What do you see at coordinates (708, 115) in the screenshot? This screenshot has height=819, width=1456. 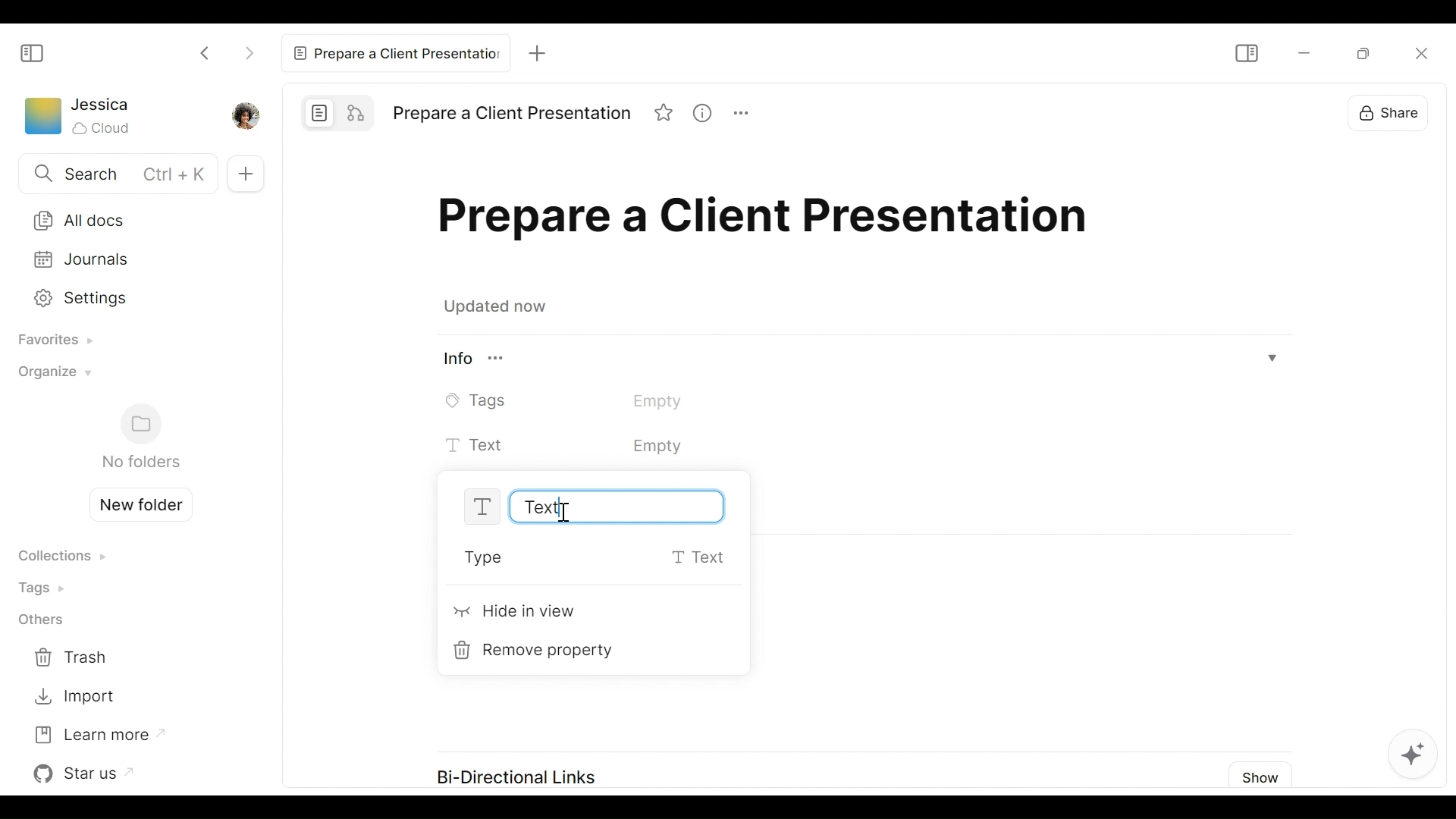 I see `View Information` at bounding box center [708, 115].